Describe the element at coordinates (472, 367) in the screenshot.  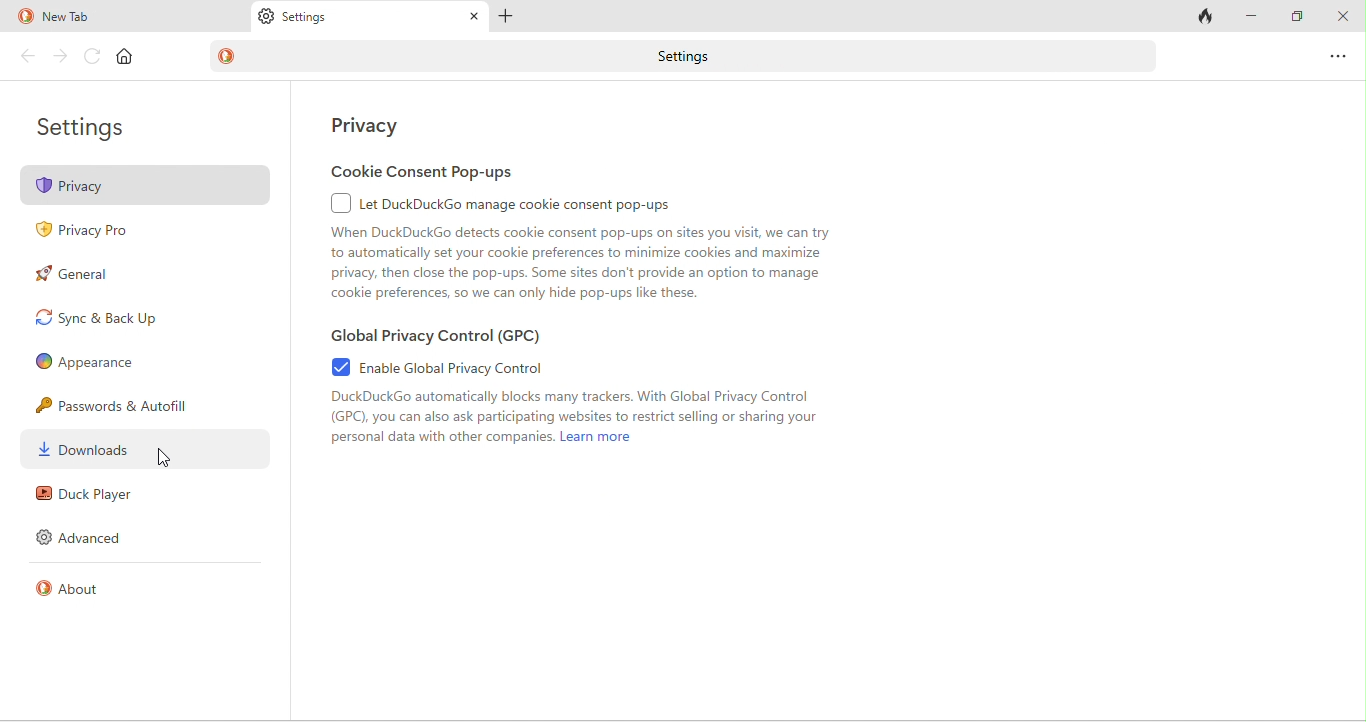
I see `enable global privacy control` at that location.